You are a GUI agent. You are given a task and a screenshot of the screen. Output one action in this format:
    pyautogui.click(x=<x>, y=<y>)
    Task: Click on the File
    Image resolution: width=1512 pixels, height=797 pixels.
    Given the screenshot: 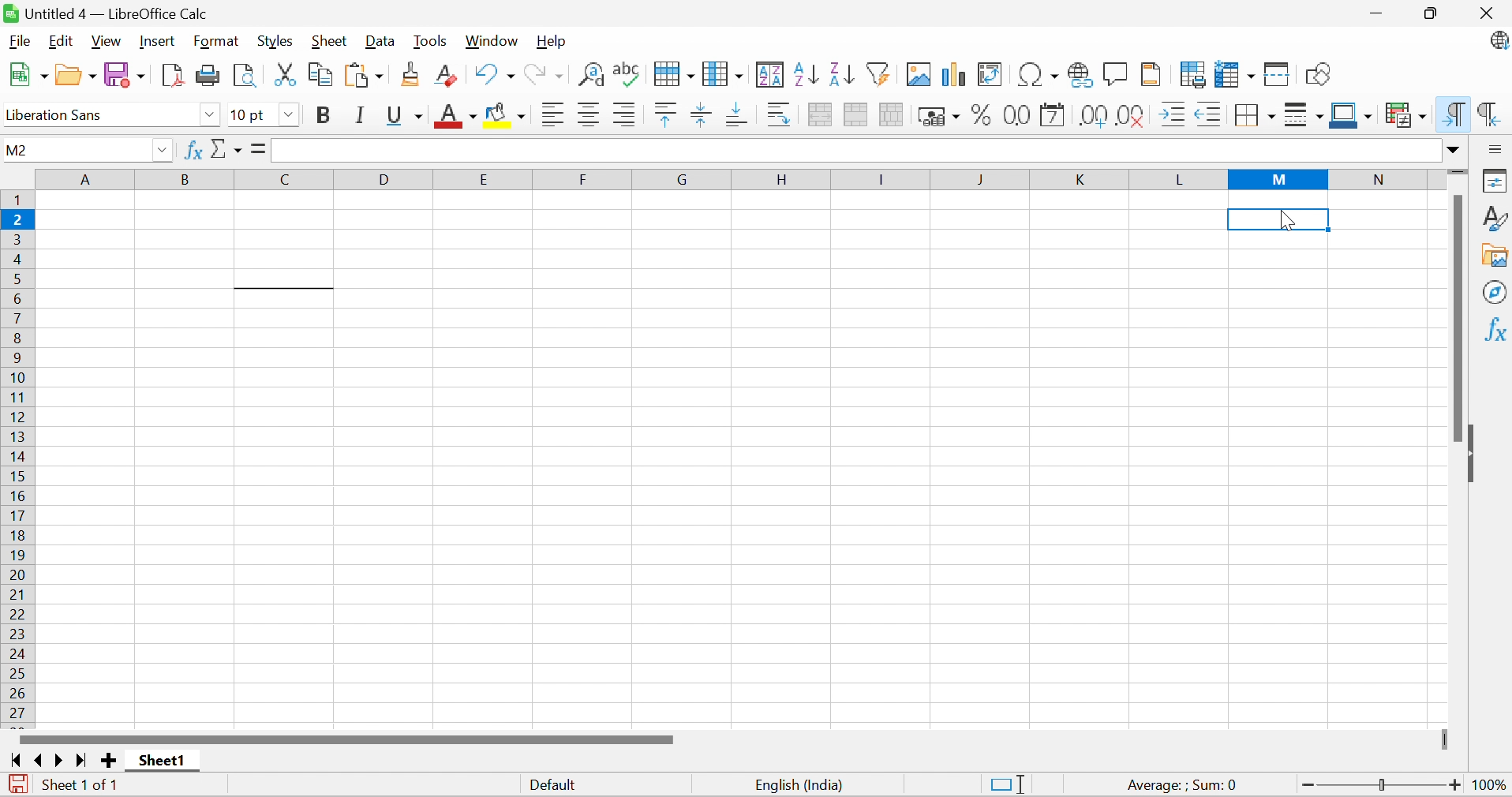 What is the action you would take?
    pyautogui.click(x=20, y=40)
    